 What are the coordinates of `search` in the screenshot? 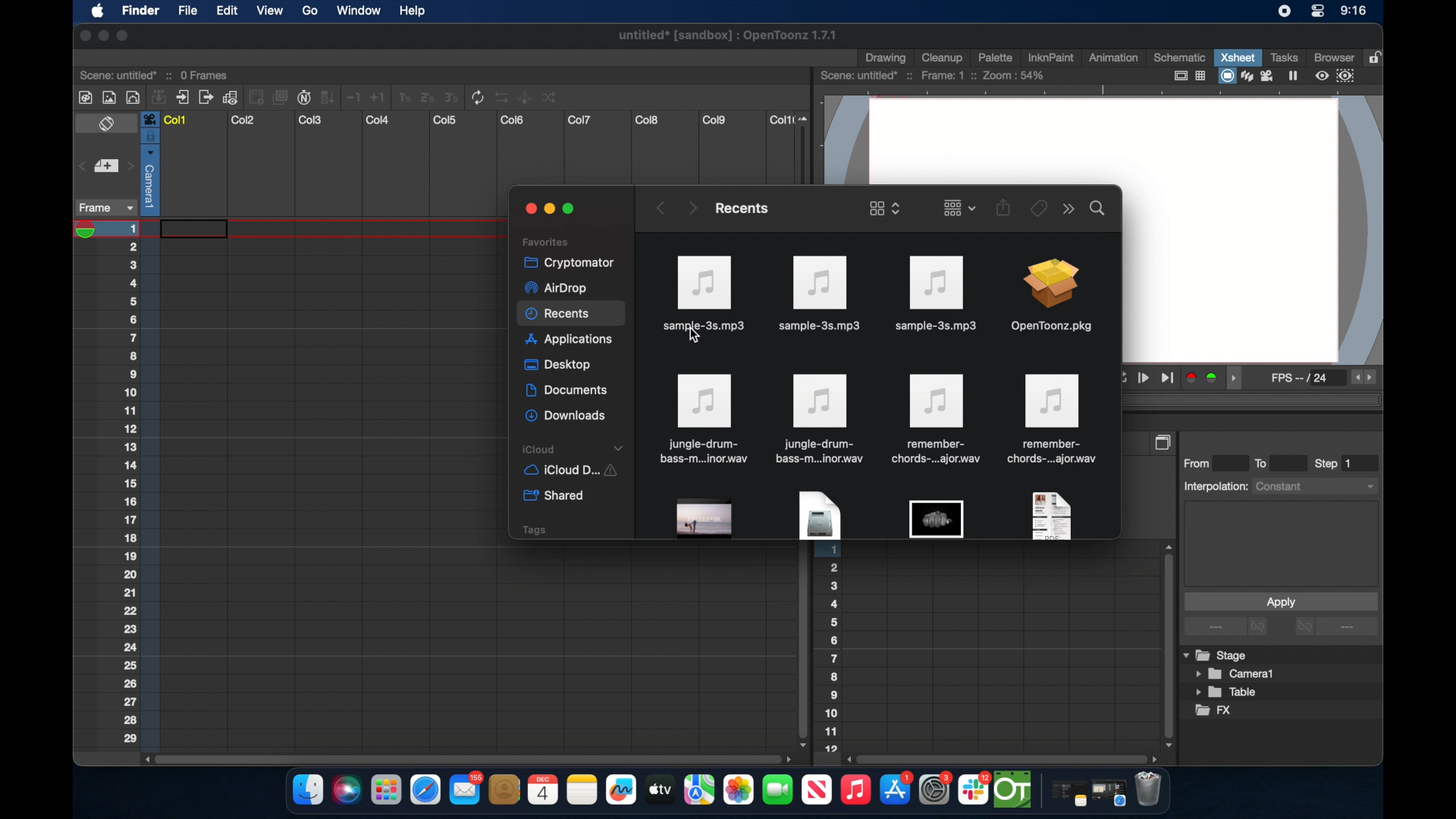 It's located at (1098, 207).